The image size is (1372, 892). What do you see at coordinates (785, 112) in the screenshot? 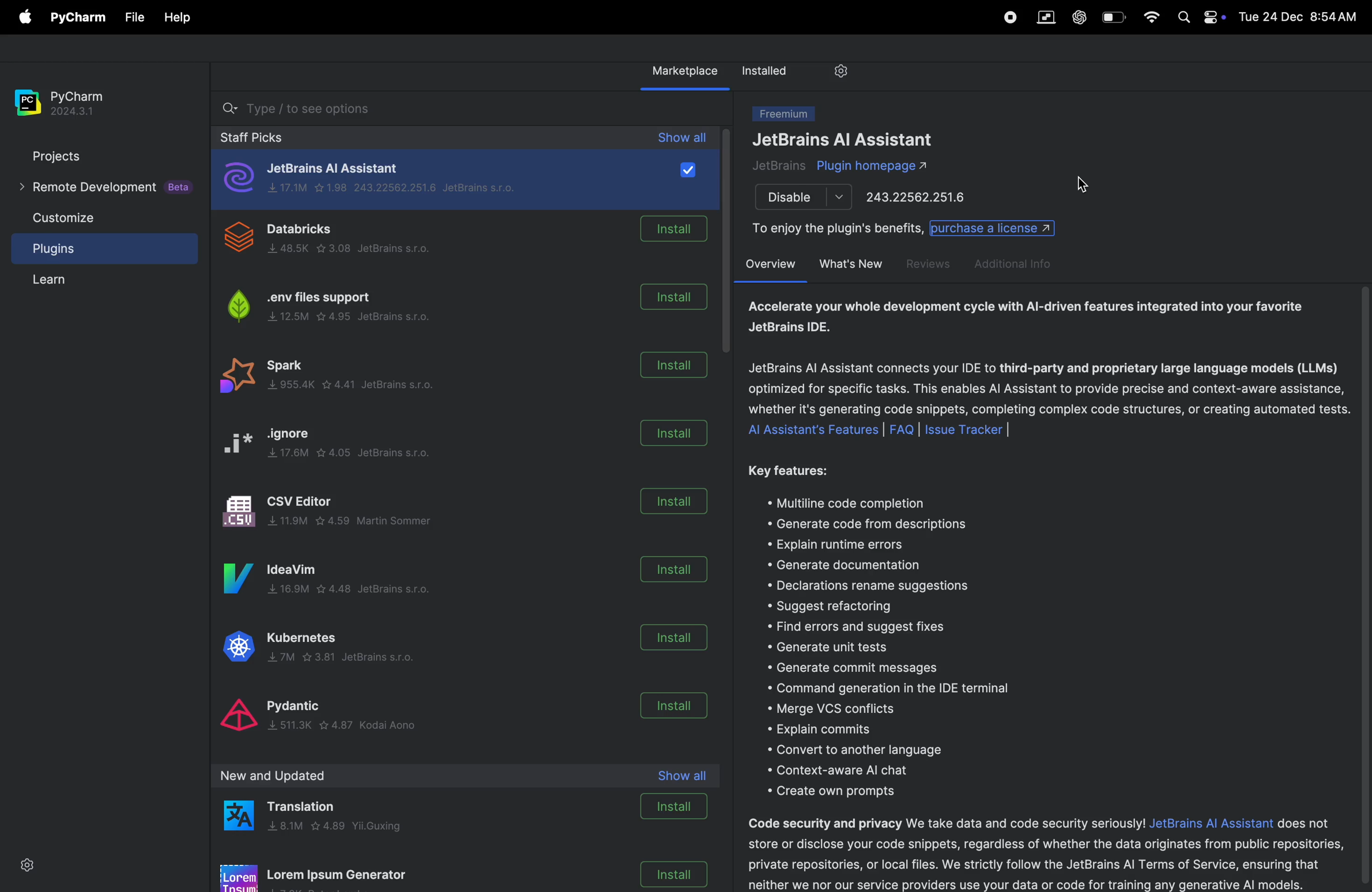
I see `freemium` at bounding box center [785, 112].